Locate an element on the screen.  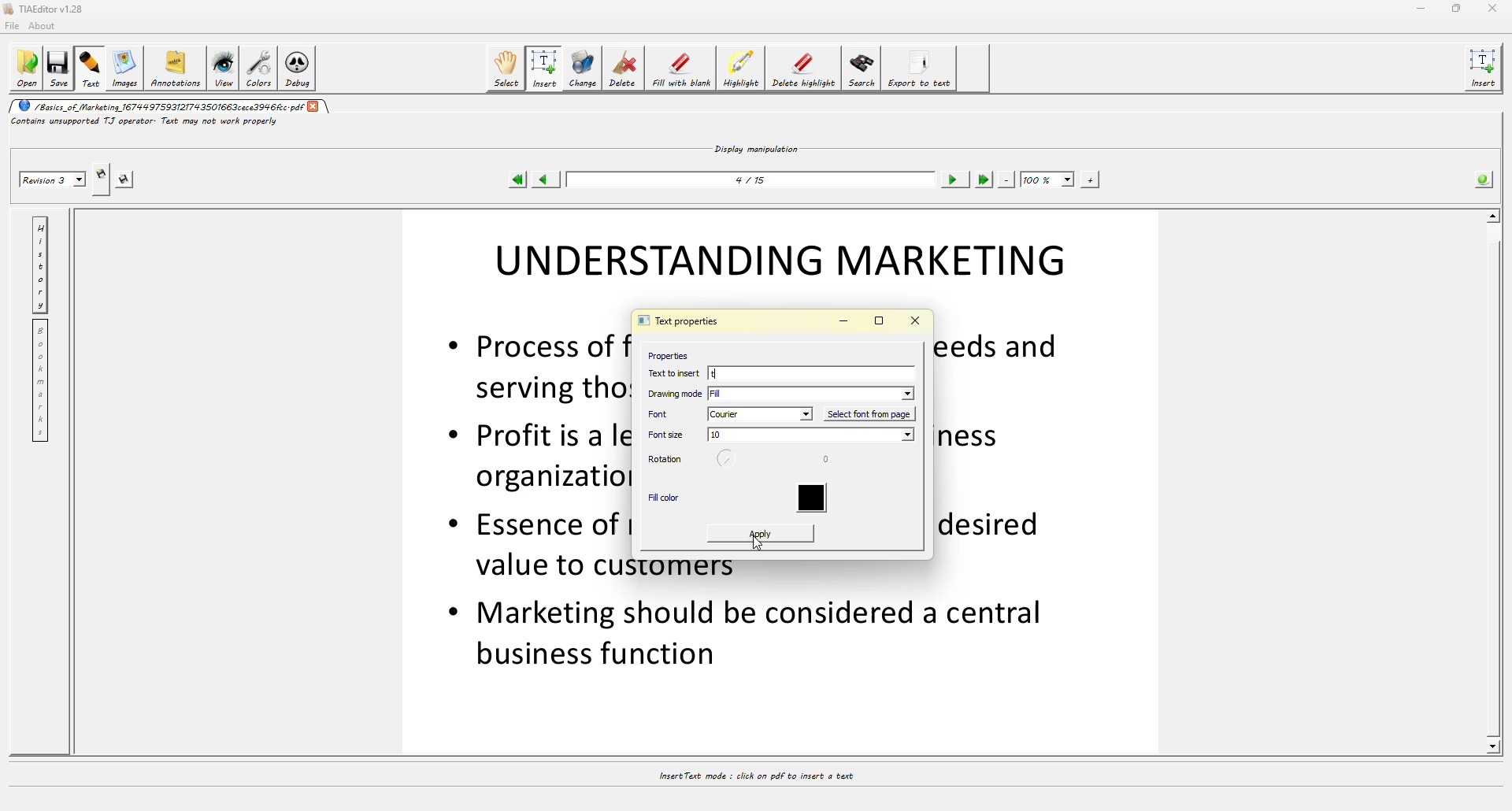
search is located at coordinates (862, 70).